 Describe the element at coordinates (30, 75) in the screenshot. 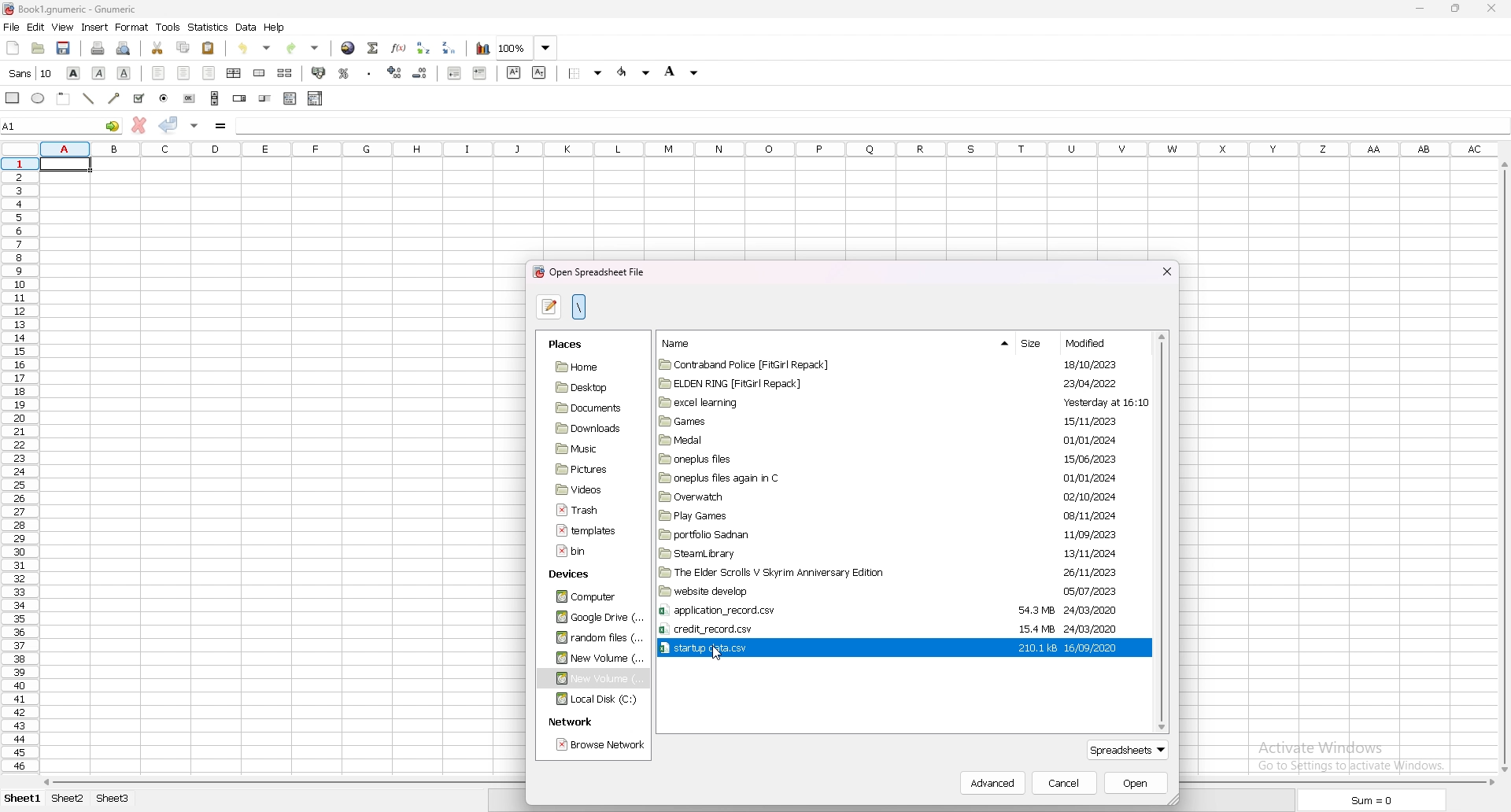

I see `cursor description` at that location.